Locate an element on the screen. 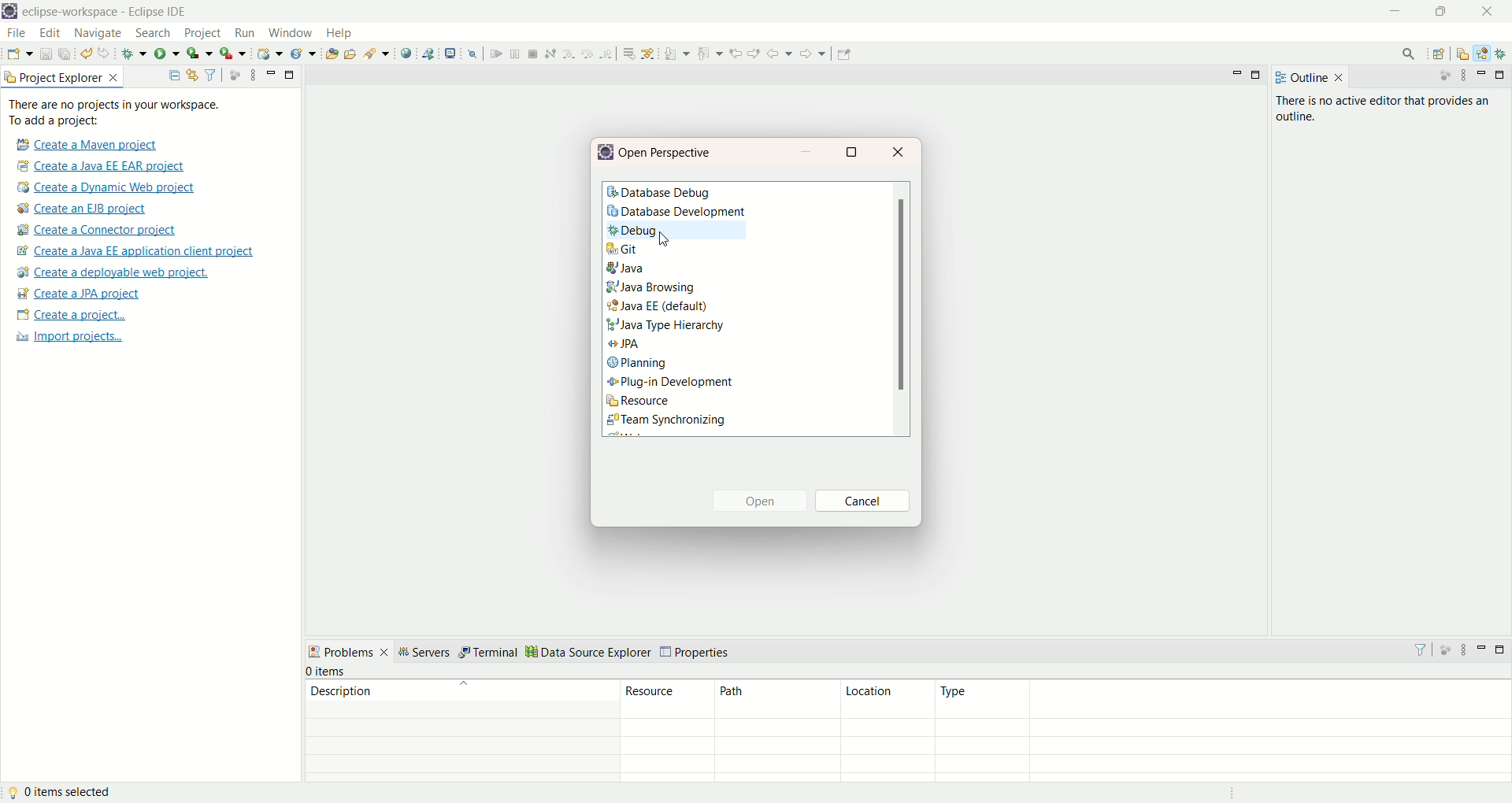 The width and height of the screenshot is (1512, 803). debug is located at coordinates (1503, 54).